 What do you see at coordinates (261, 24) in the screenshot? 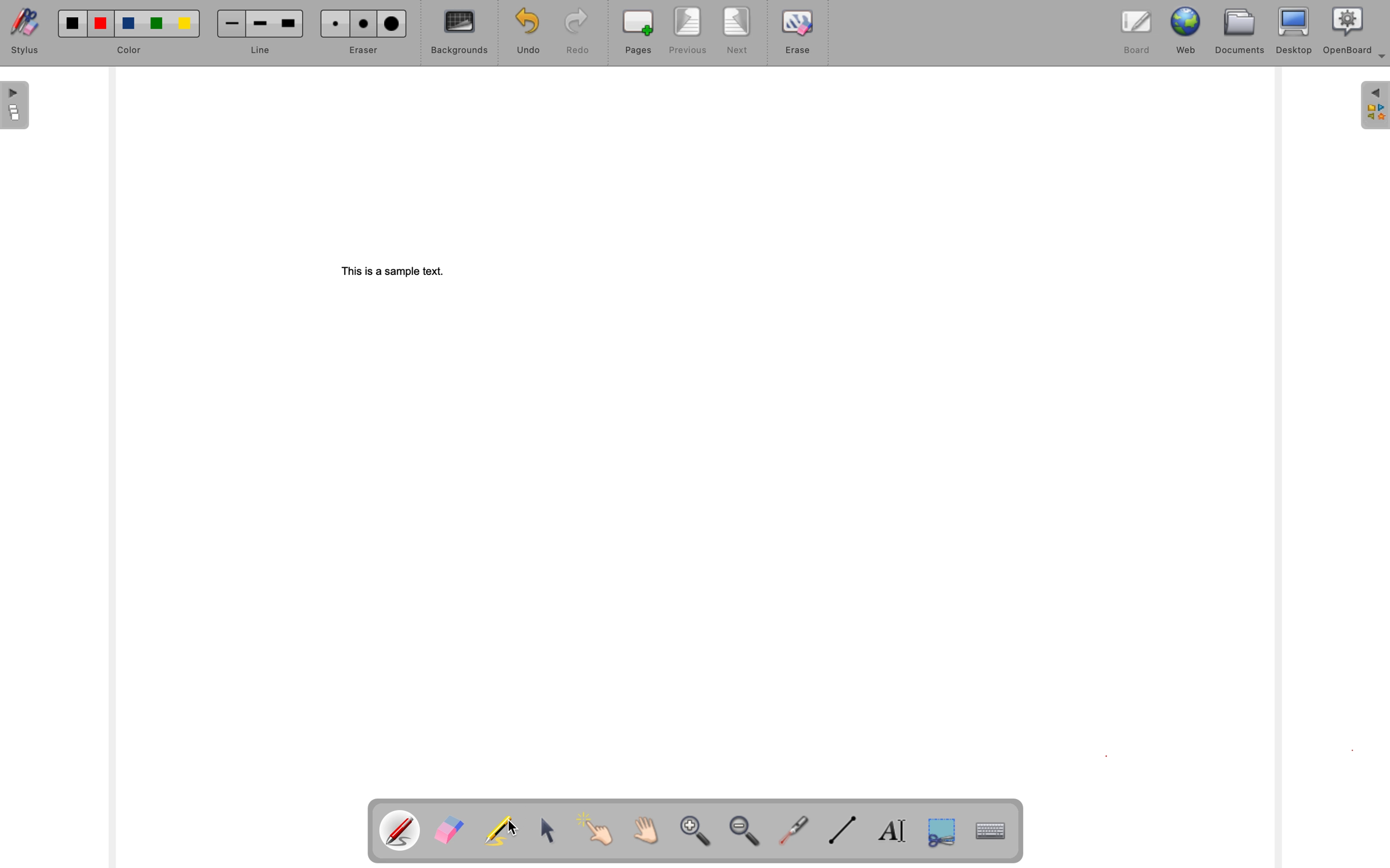
I see `Medium line` at bounding box center [261, 24].